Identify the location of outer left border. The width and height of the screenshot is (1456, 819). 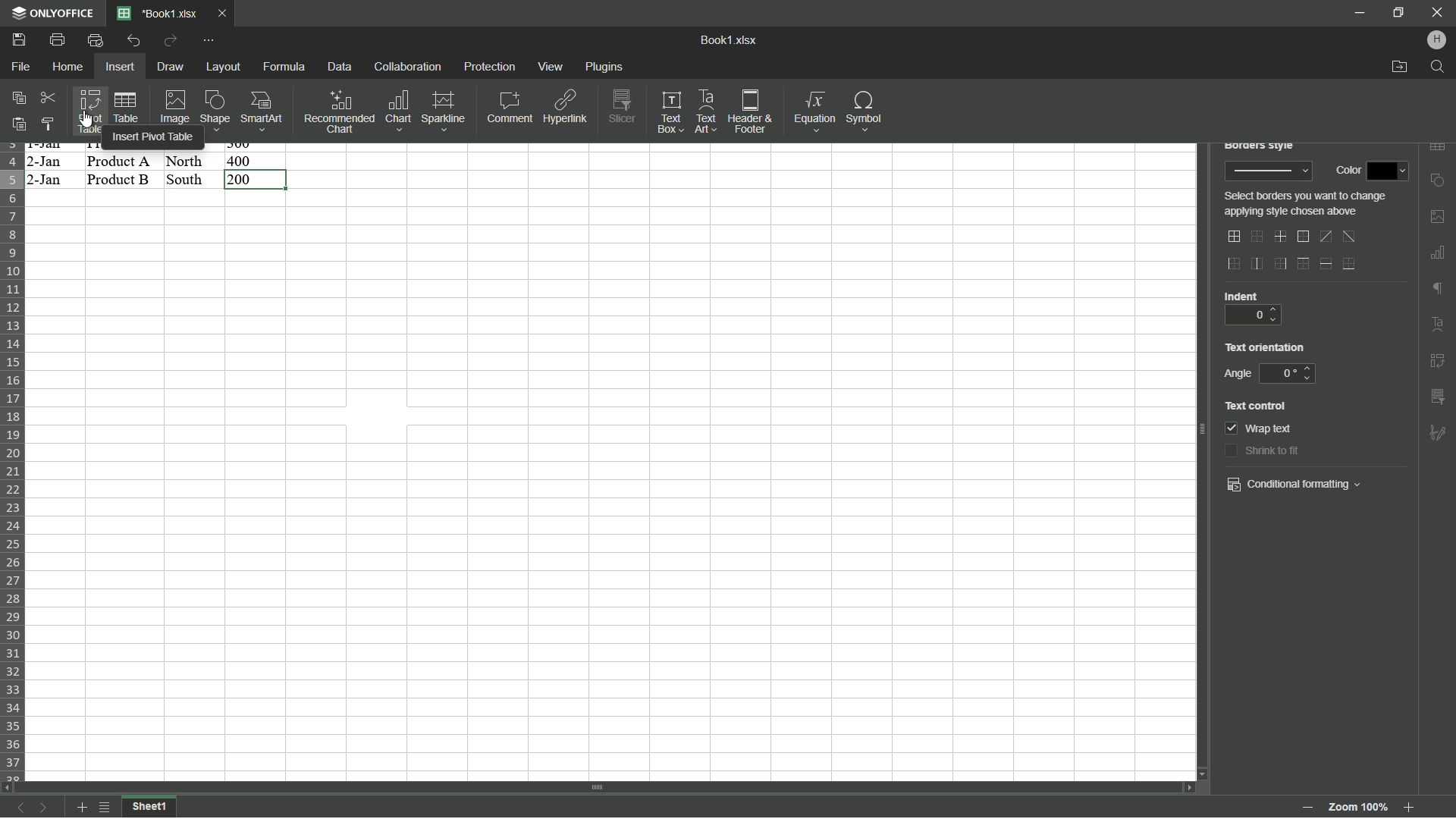
(1234, 262).